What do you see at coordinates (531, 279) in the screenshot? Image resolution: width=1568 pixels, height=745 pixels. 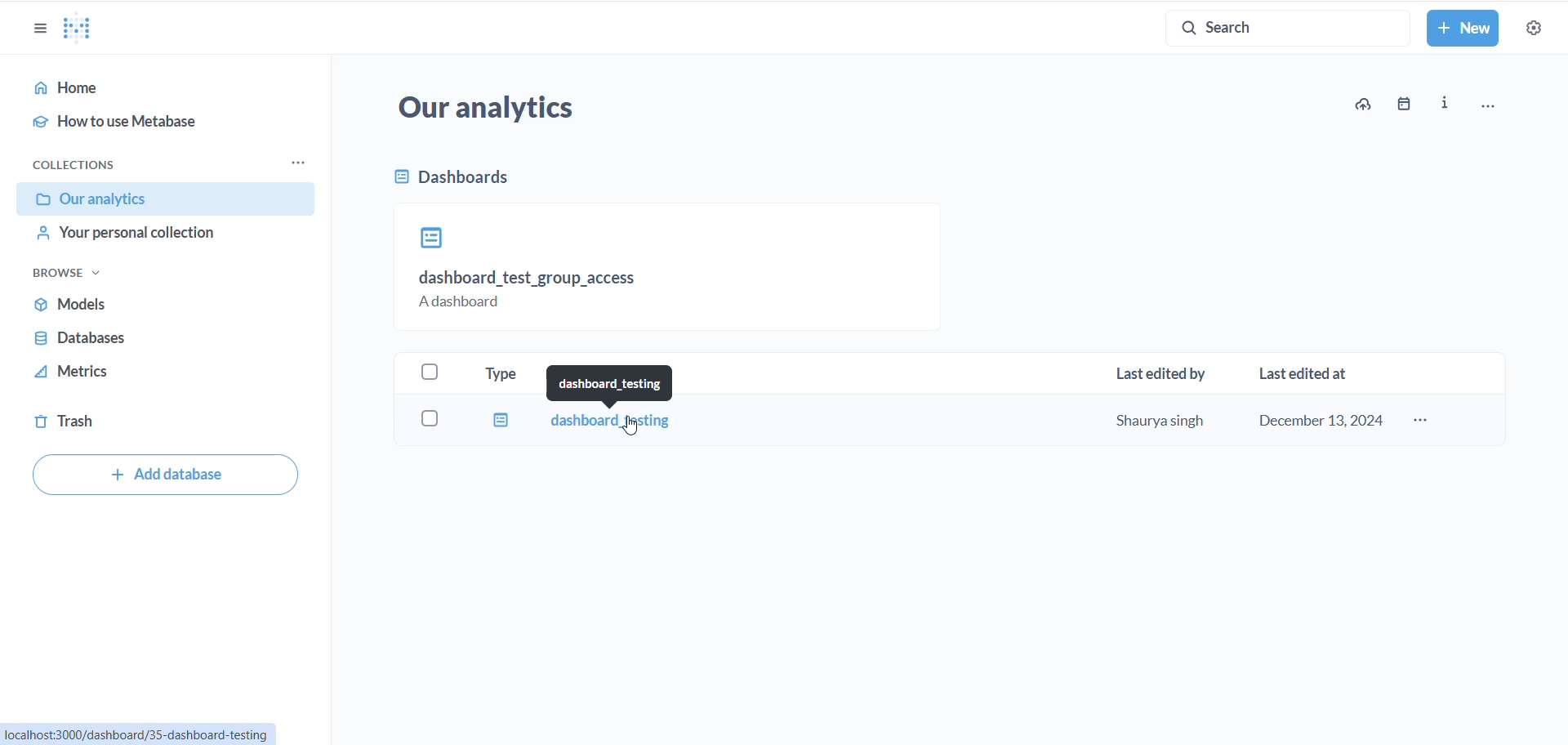 I see `dashboard_test_group access` at bounding box center [531, 279].